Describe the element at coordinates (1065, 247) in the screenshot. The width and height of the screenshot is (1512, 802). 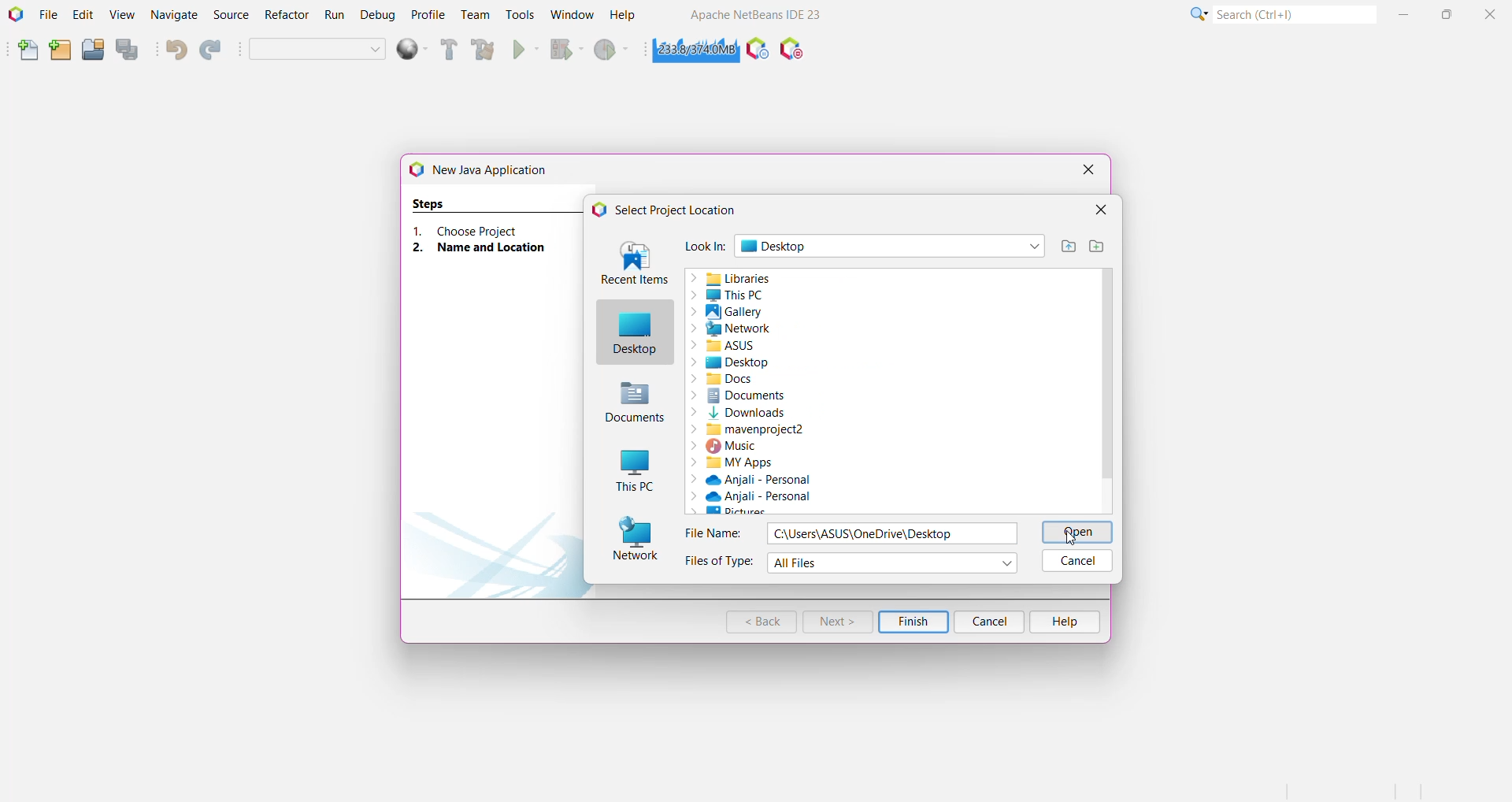
I see `Up one level` at that location.